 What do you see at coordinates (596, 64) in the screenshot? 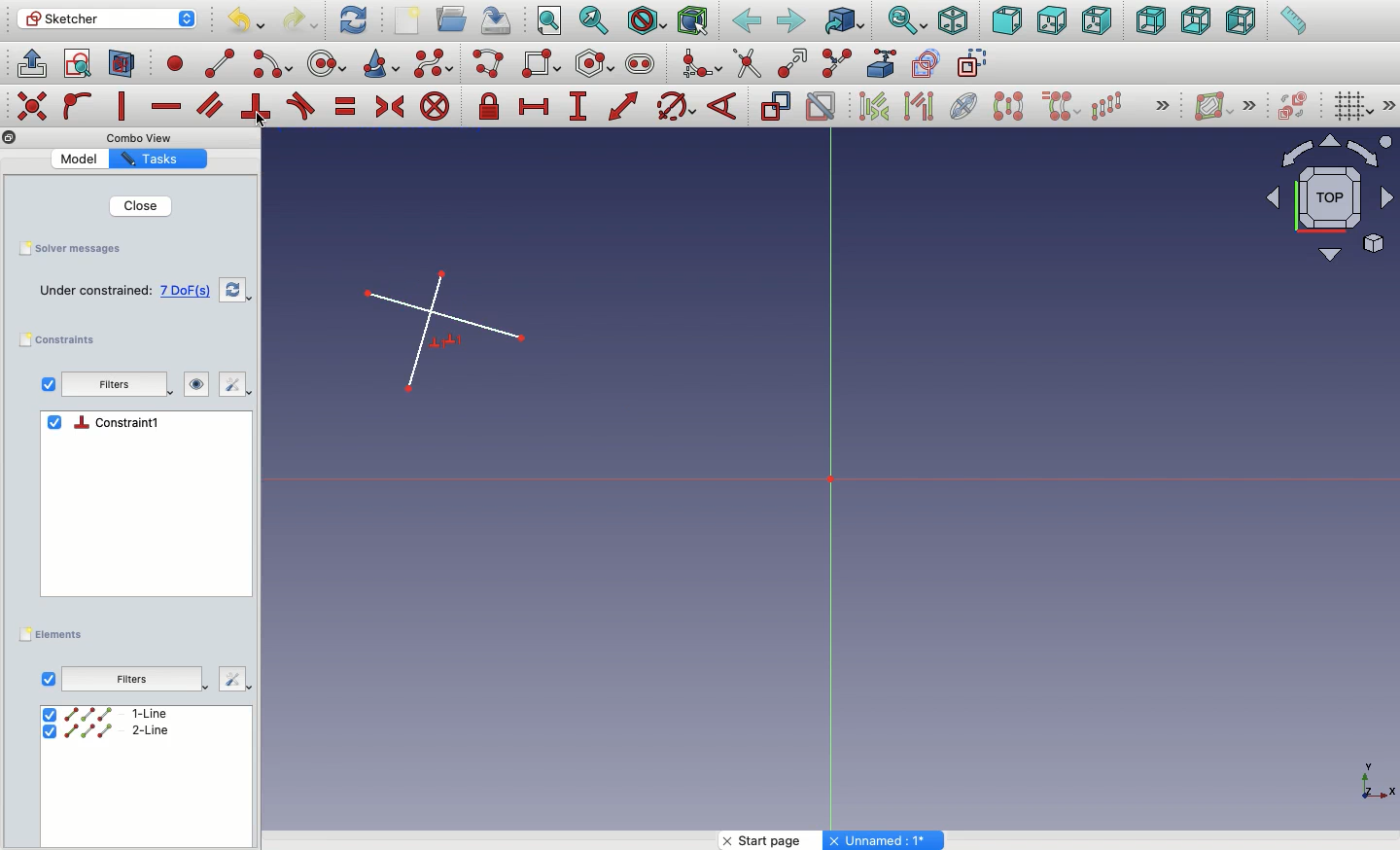
I see `Polygon` at bounding box center [596, 64].